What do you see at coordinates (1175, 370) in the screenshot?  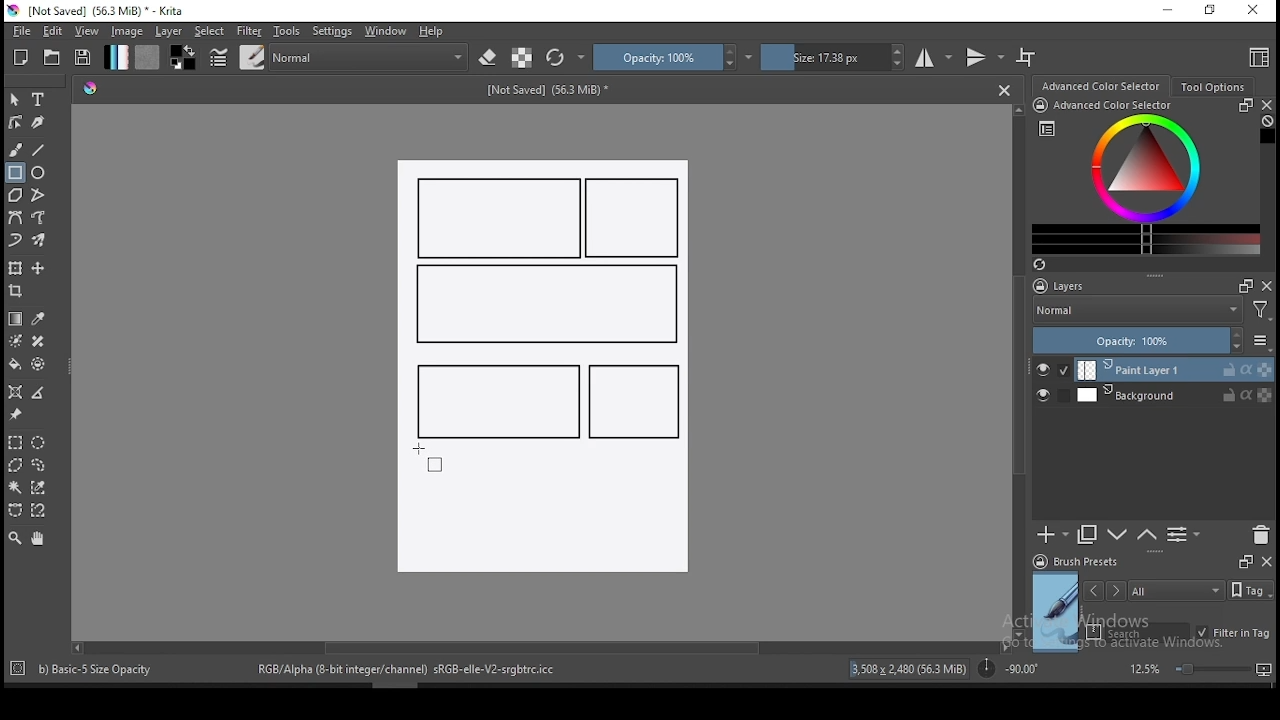 I see `layer` at bounding box center [1175, 370].